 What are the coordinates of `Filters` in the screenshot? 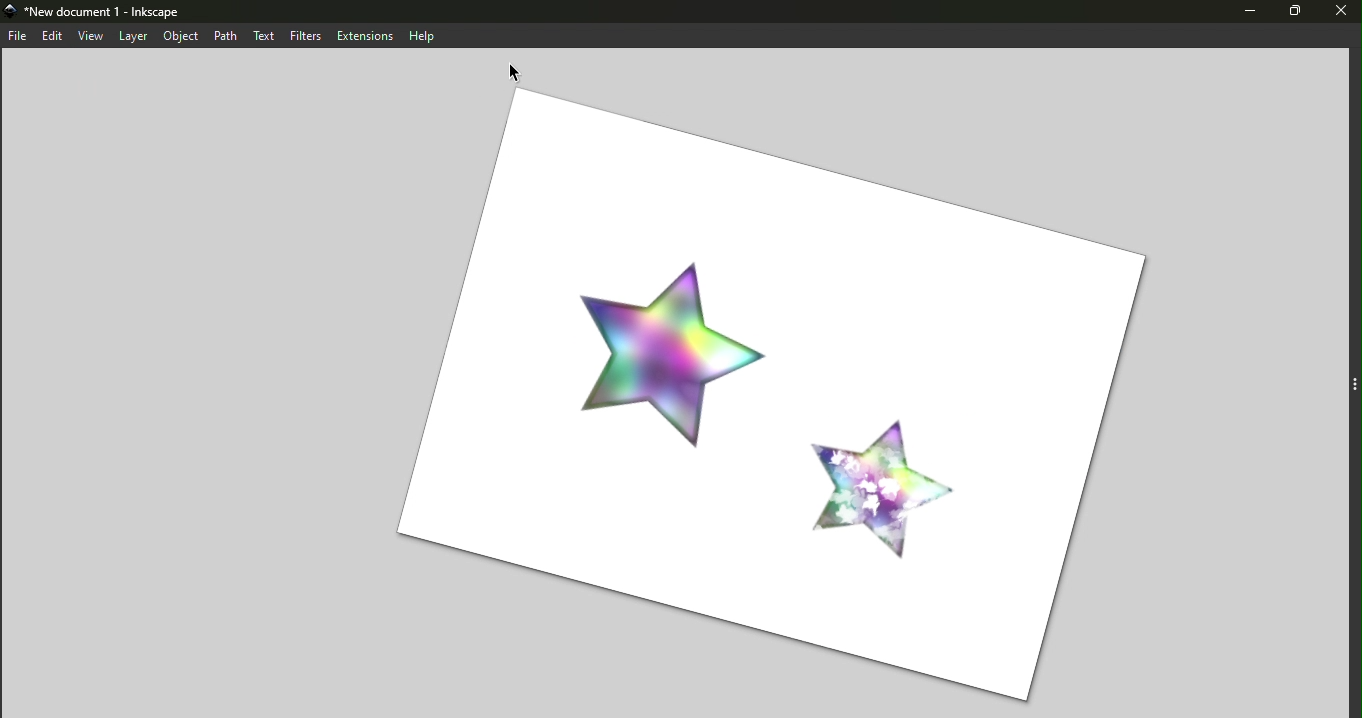 It's located at (302, 35).